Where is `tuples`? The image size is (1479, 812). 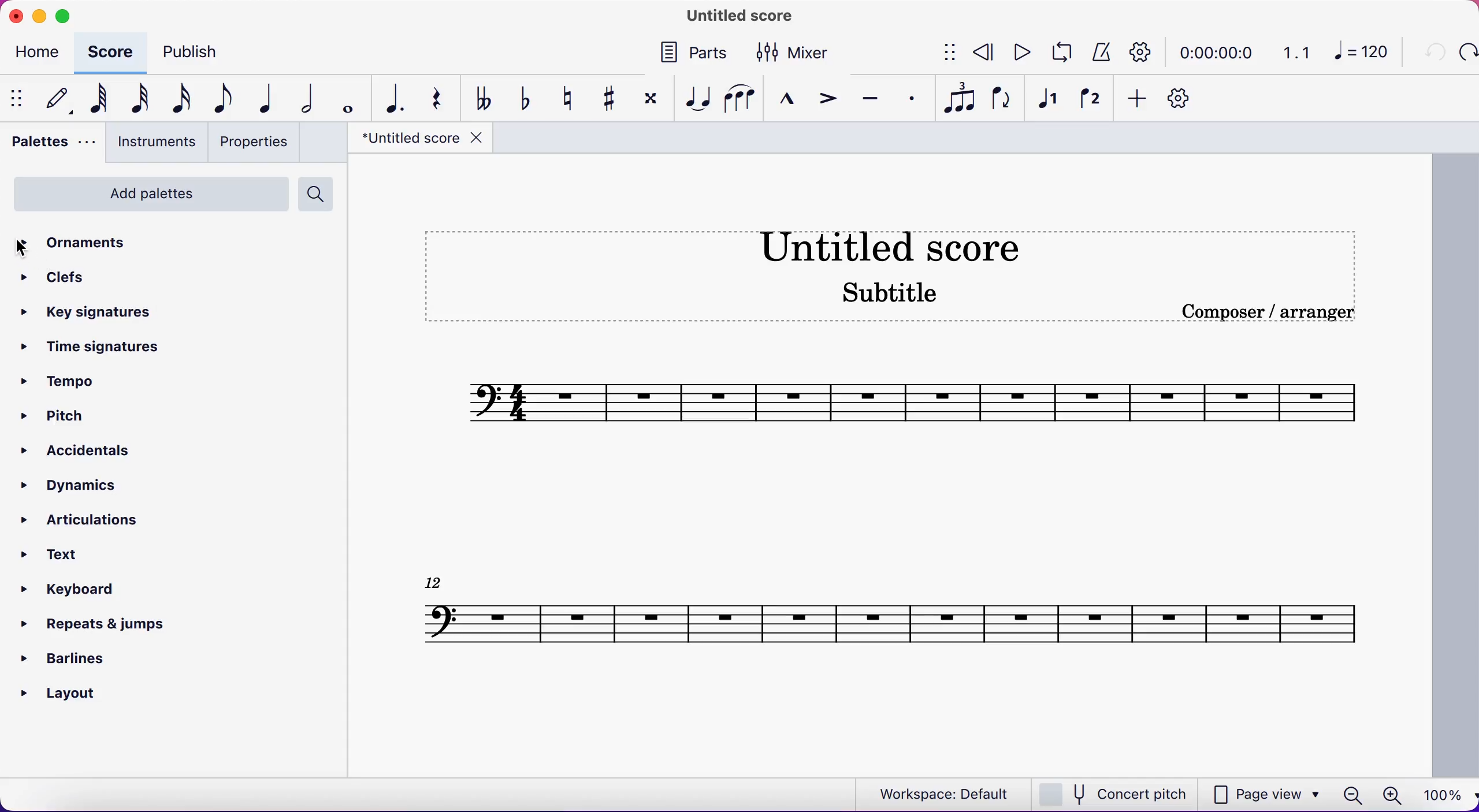
tuples is located at coordinates (958, 100).